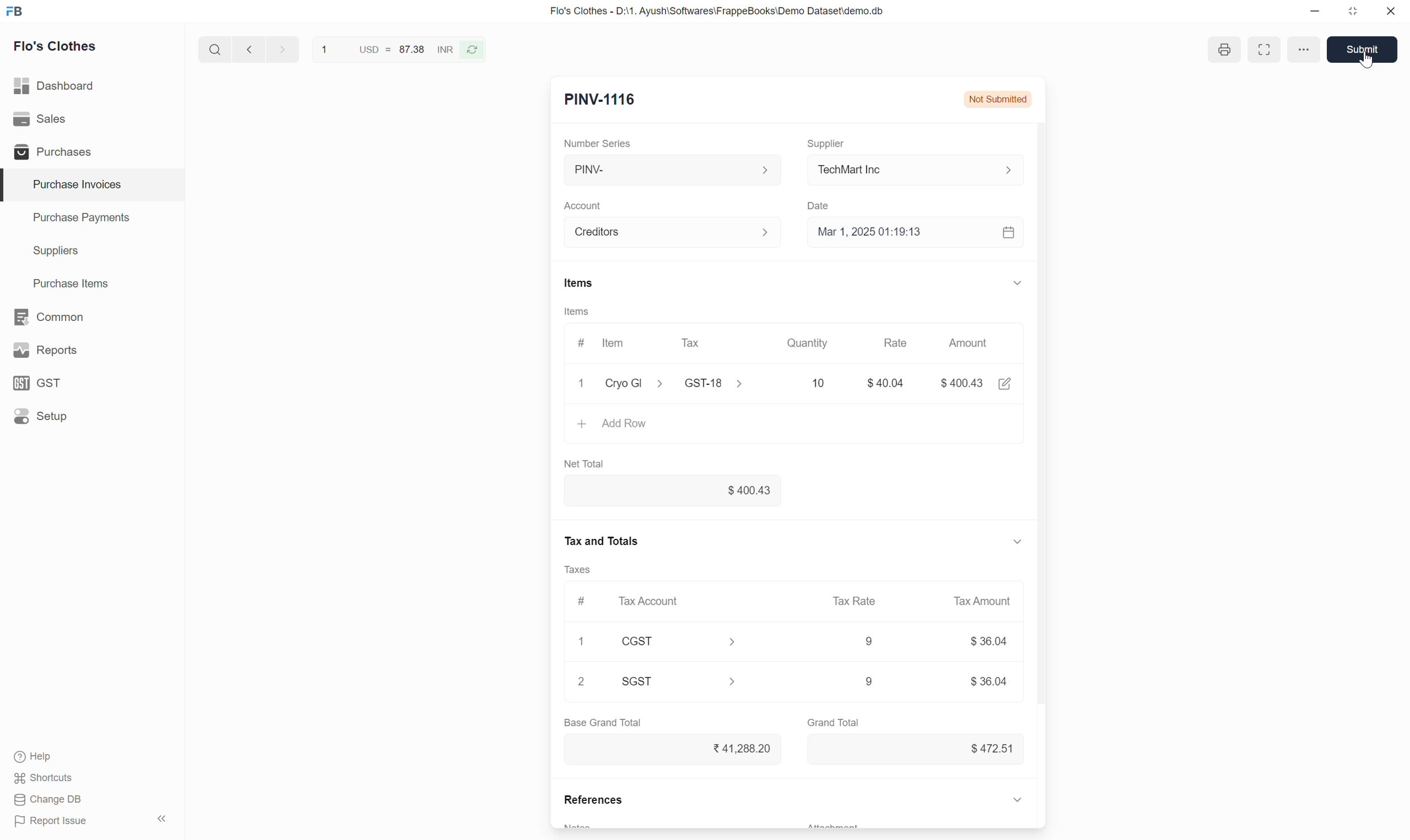  I want to click on 9, so click(852, 682).